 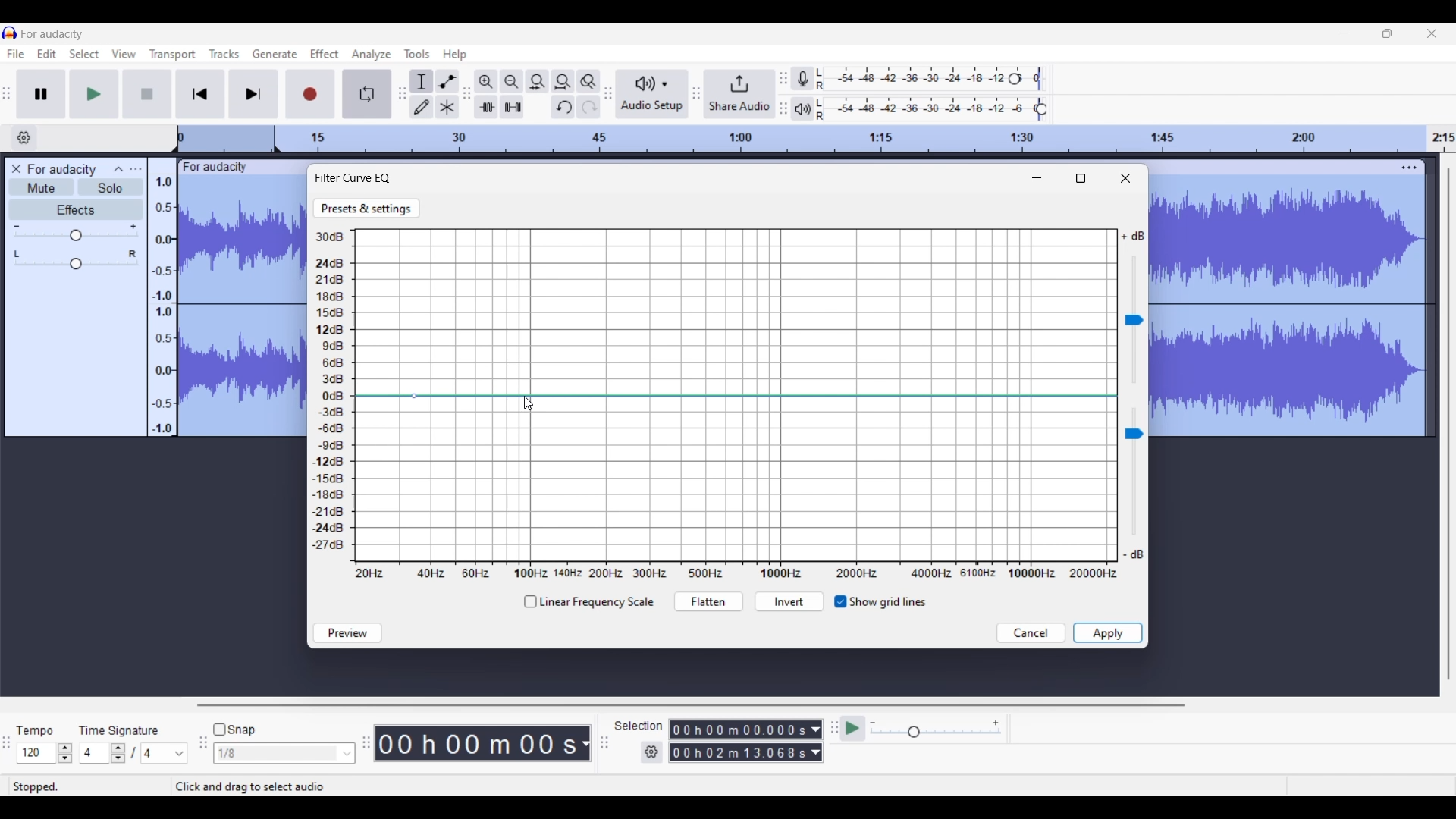 I want to click on Enable looping, so click(x=367, y=94).